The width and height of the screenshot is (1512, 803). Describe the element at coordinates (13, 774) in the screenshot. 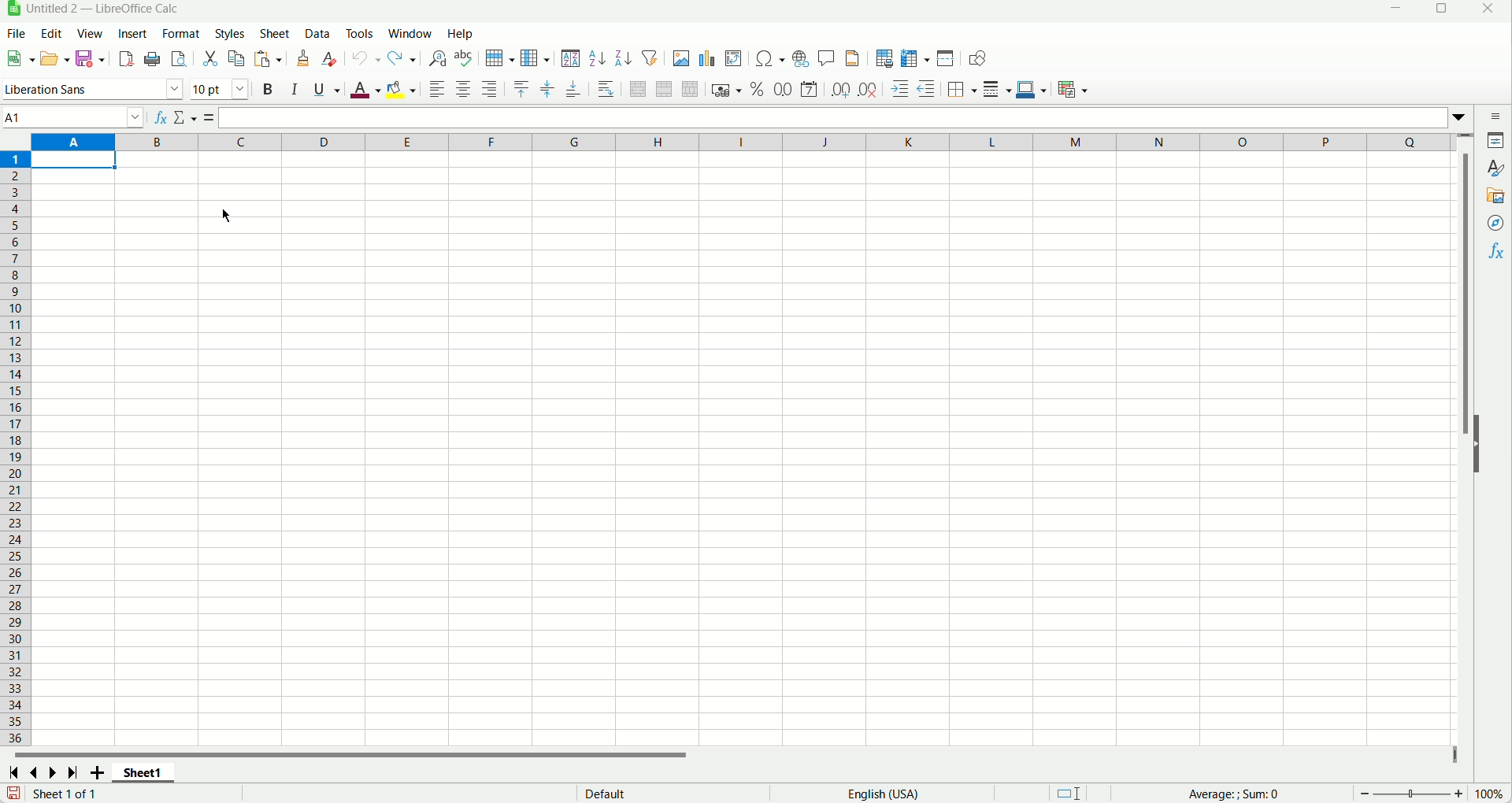

I see `First sheet` at that location.